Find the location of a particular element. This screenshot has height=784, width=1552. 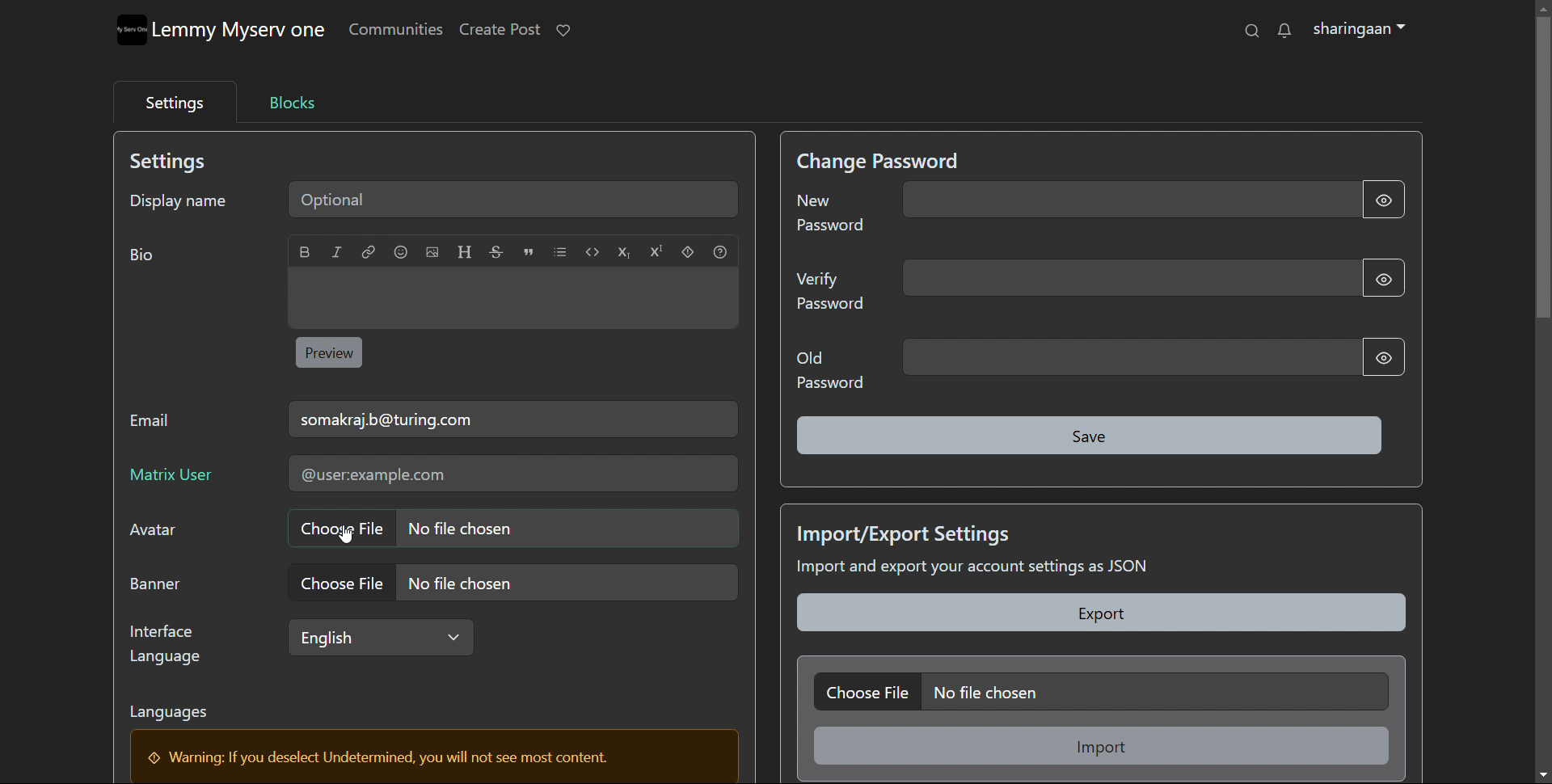

bold is located at coordinates (305, 251).